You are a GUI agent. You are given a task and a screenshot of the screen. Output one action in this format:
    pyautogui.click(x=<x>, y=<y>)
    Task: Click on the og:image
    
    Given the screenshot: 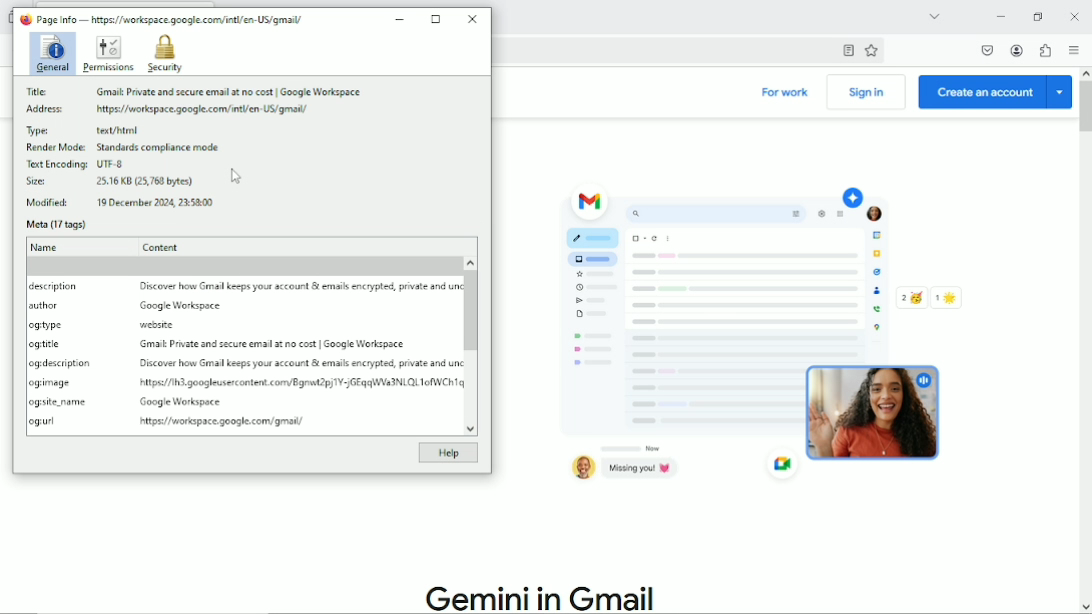 What is the action you would take?
    pyautogui.click(x=51, y=383)
    